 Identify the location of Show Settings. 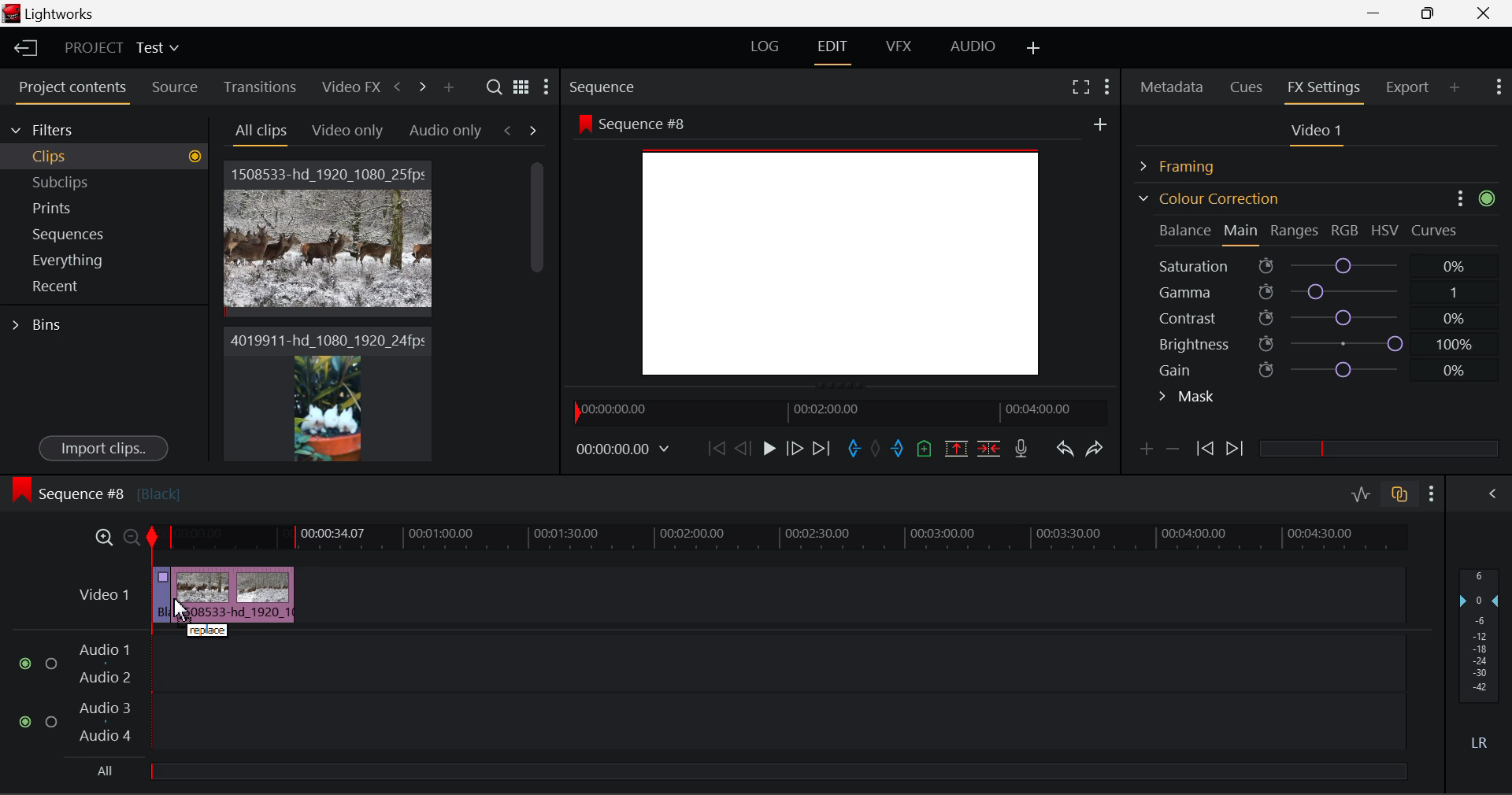
(1106, 84).